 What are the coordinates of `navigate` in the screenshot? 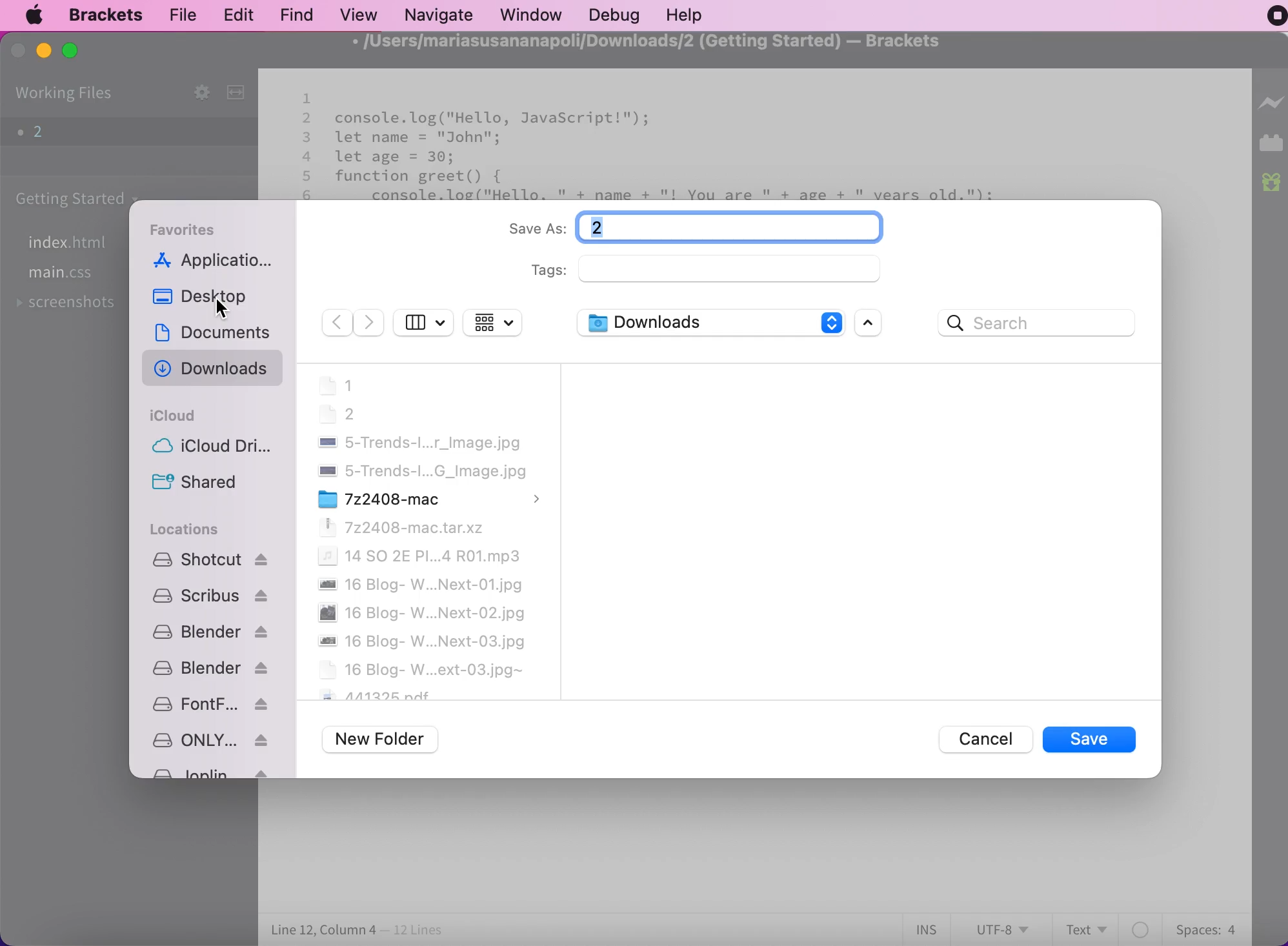 It's located at (438, 14).